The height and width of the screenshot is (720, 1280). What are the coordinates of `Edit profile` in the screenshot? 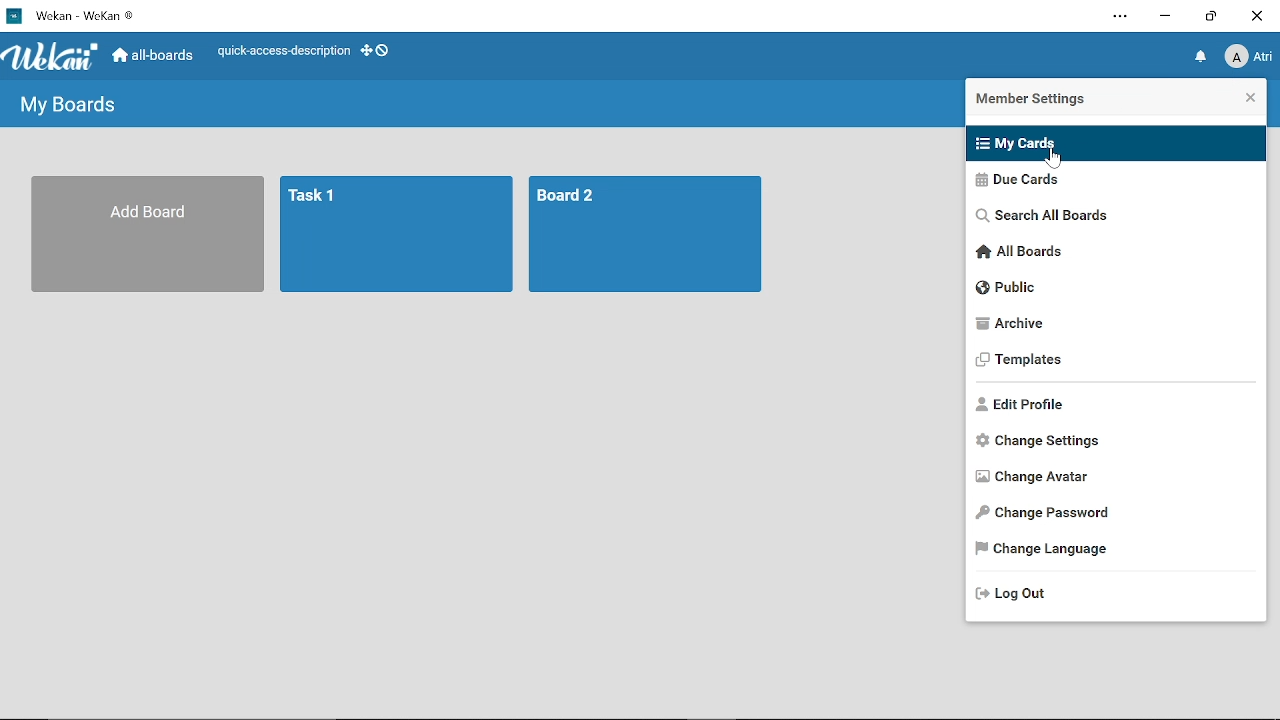 It's located at (1112, 404).